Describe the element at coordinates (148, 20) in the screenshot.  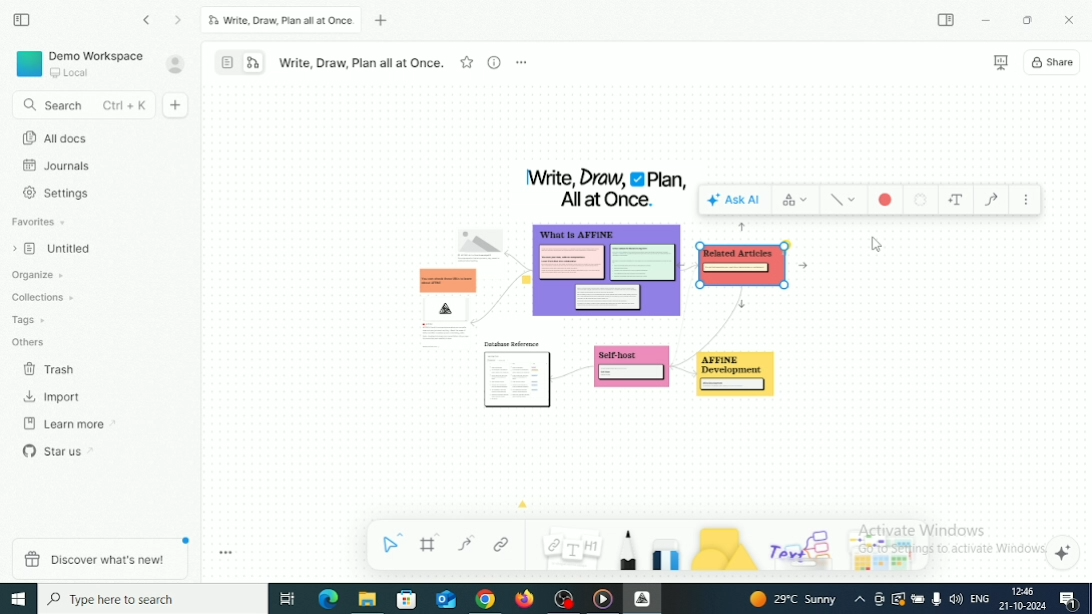
I see `Go back` at that location.